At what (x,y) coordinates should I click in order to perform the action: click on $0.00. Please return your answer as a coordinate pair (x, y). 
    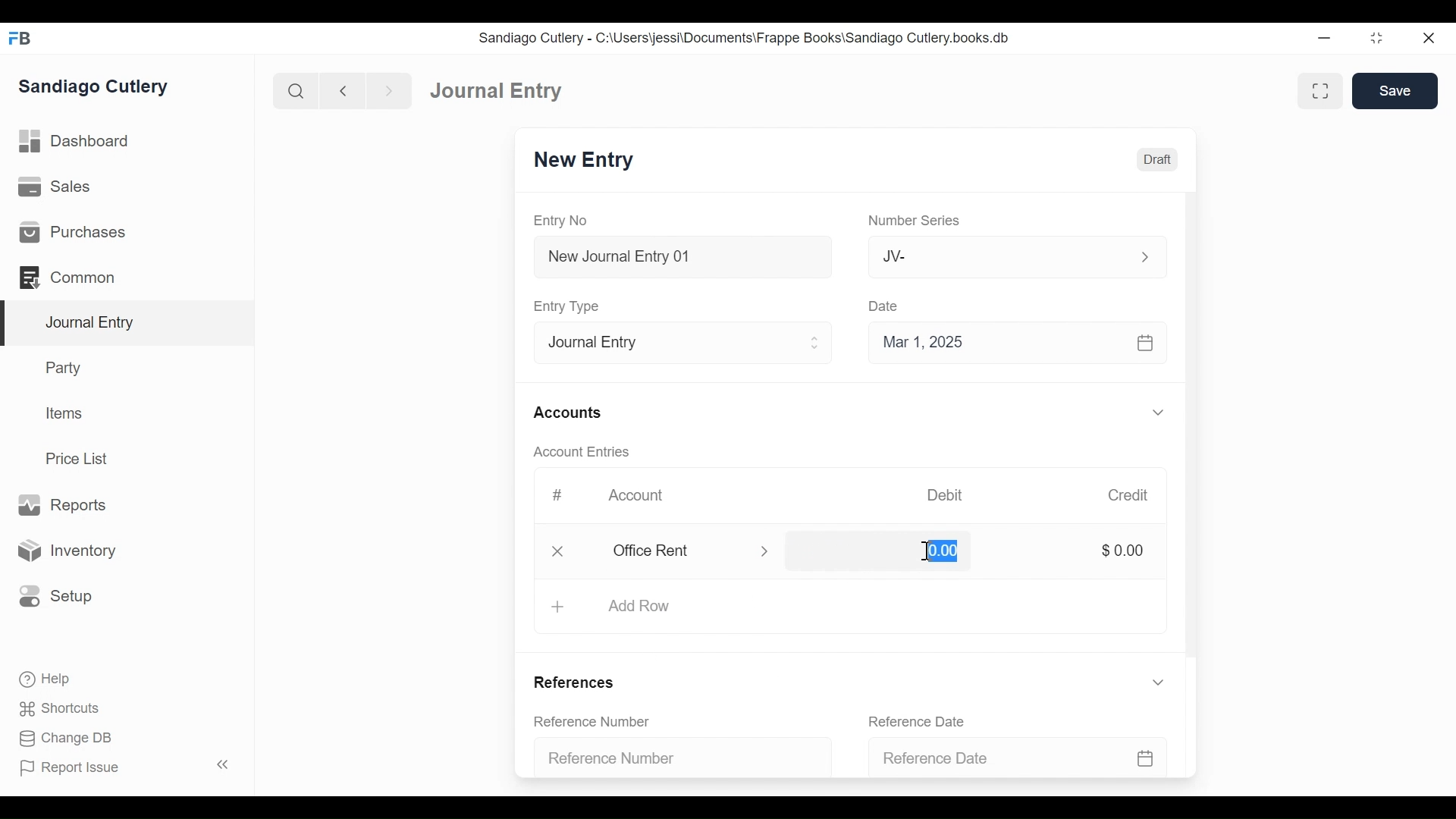
    Looking at the image, I should click on (937, 550).